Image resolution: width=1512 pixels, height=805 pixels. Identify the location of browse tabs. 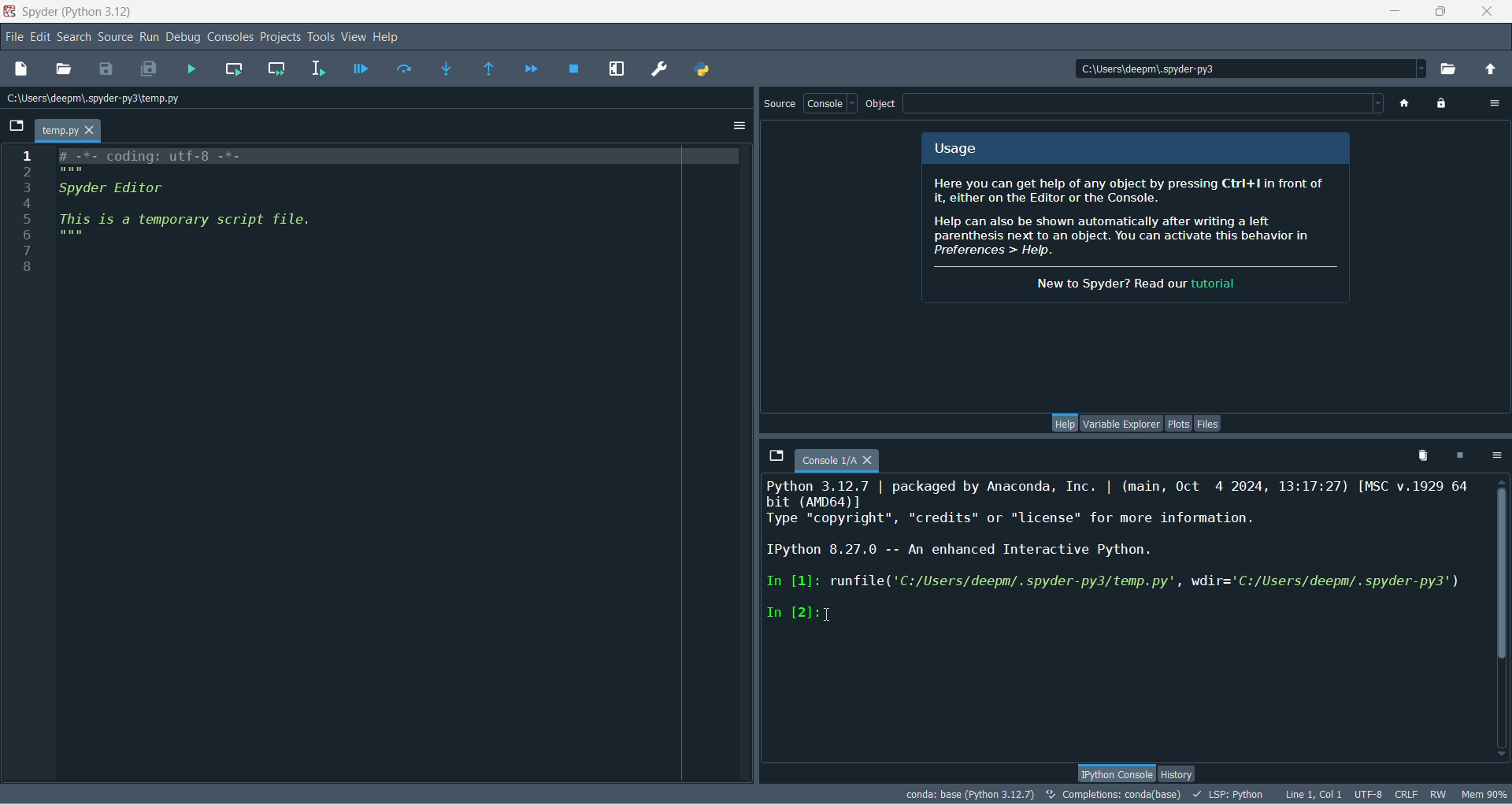
(16, 126).